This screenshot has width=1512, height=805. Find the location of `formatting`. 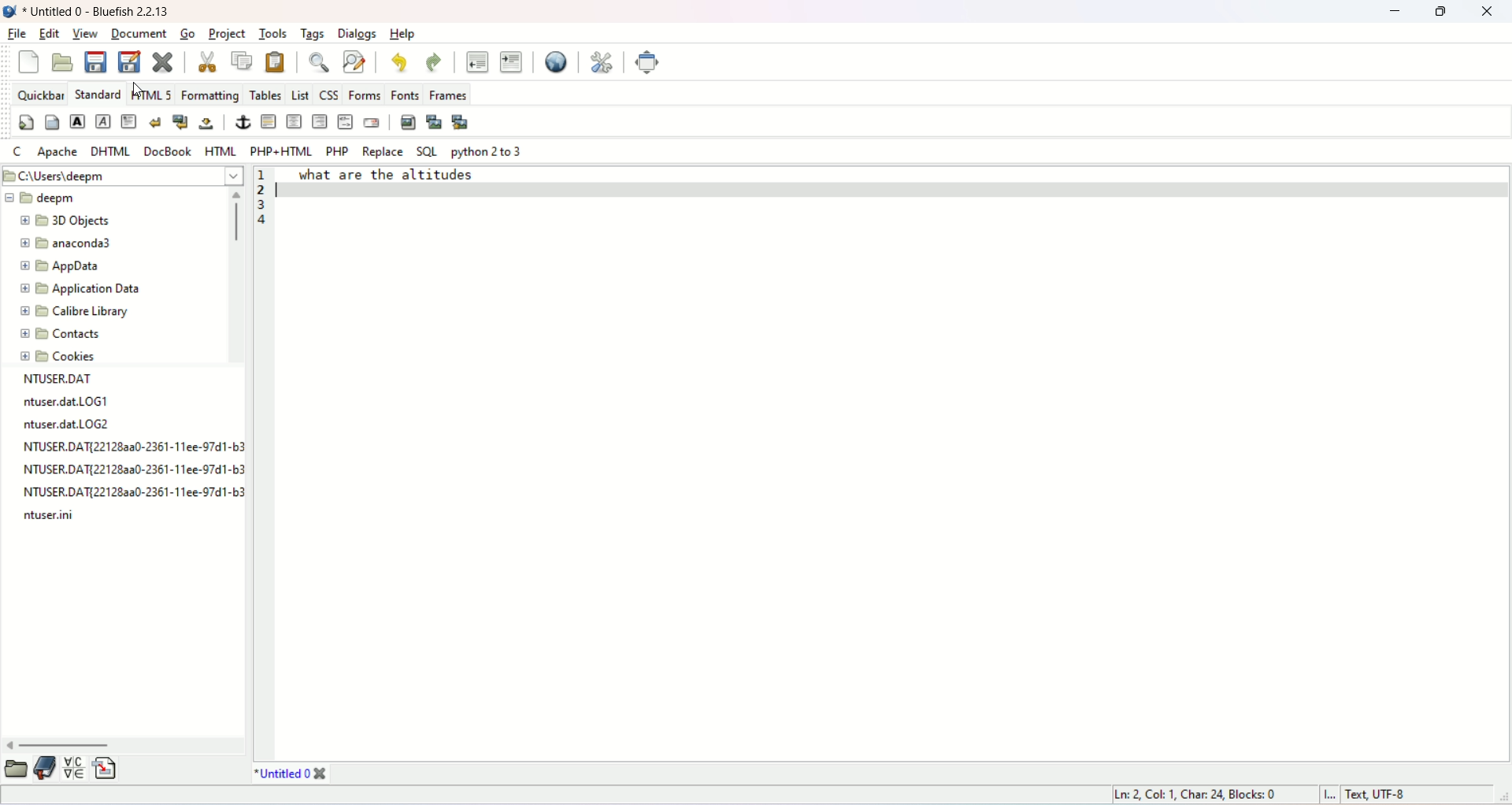

formatting is located at coordinates (210, 94).